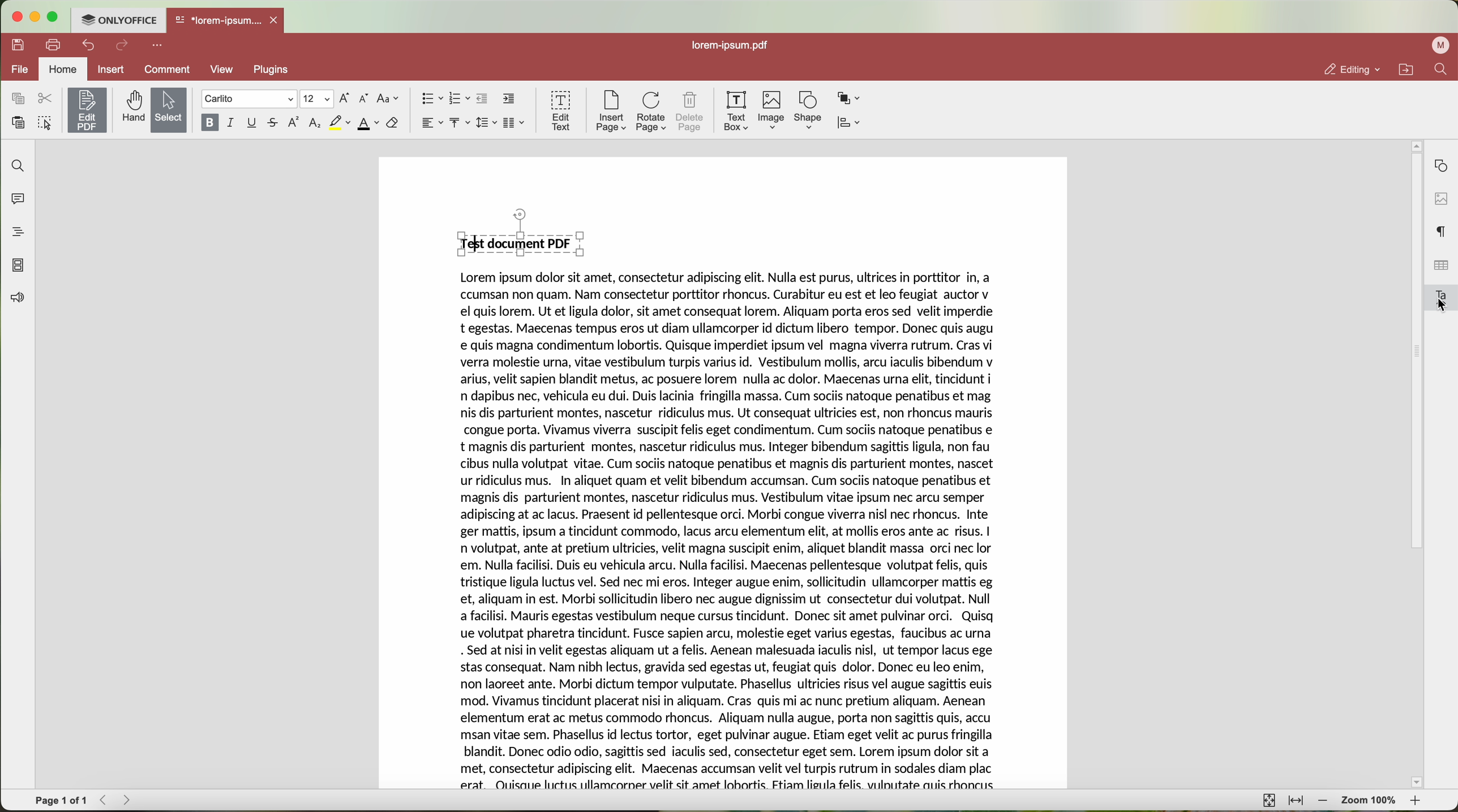  What do you see at coordinates (431, 98) in the screenshot?
I see `bullets` at bounding box center [431, 98].